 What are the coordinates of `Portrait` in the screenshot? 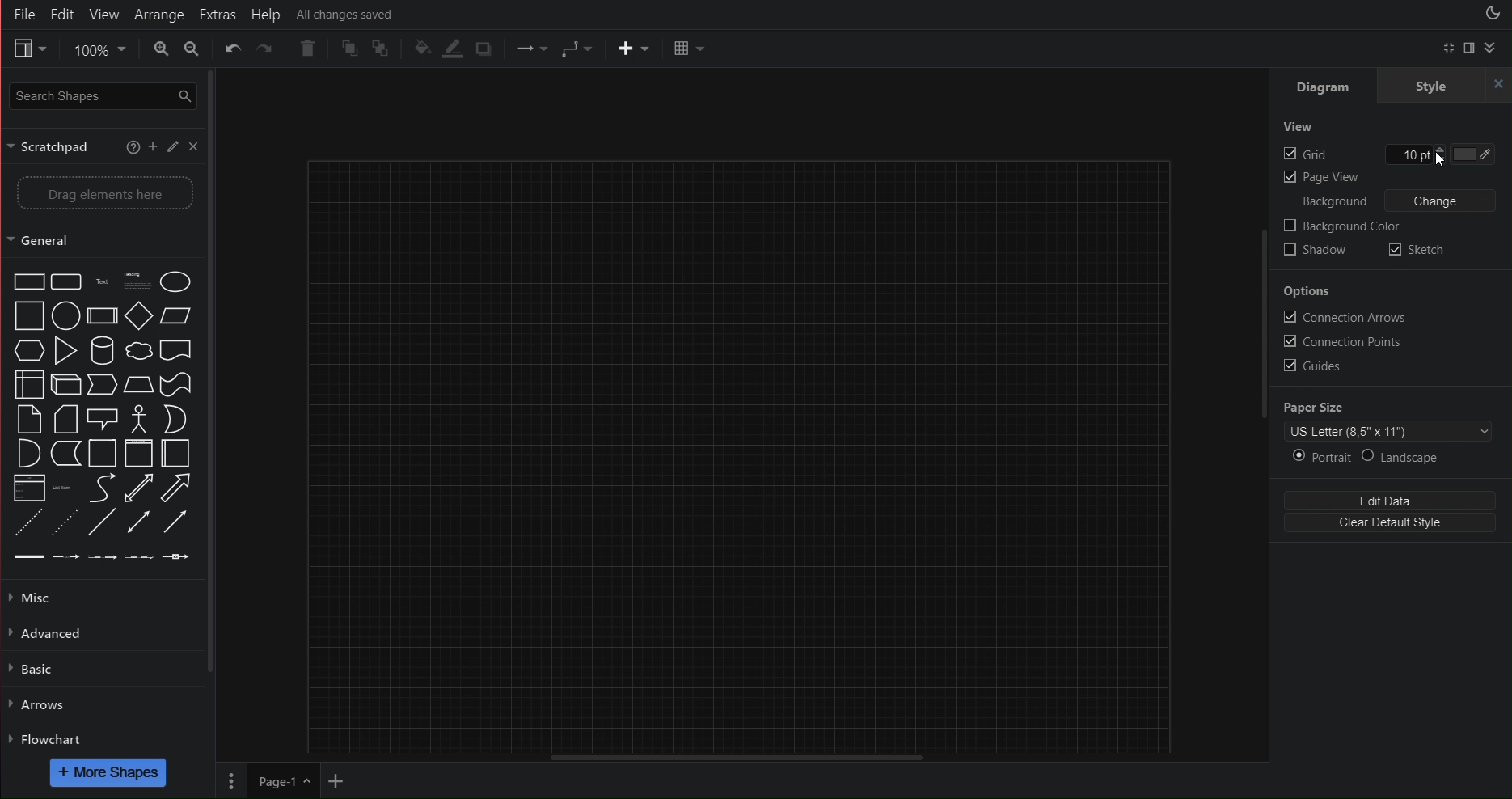 It's located at (1320, 456).